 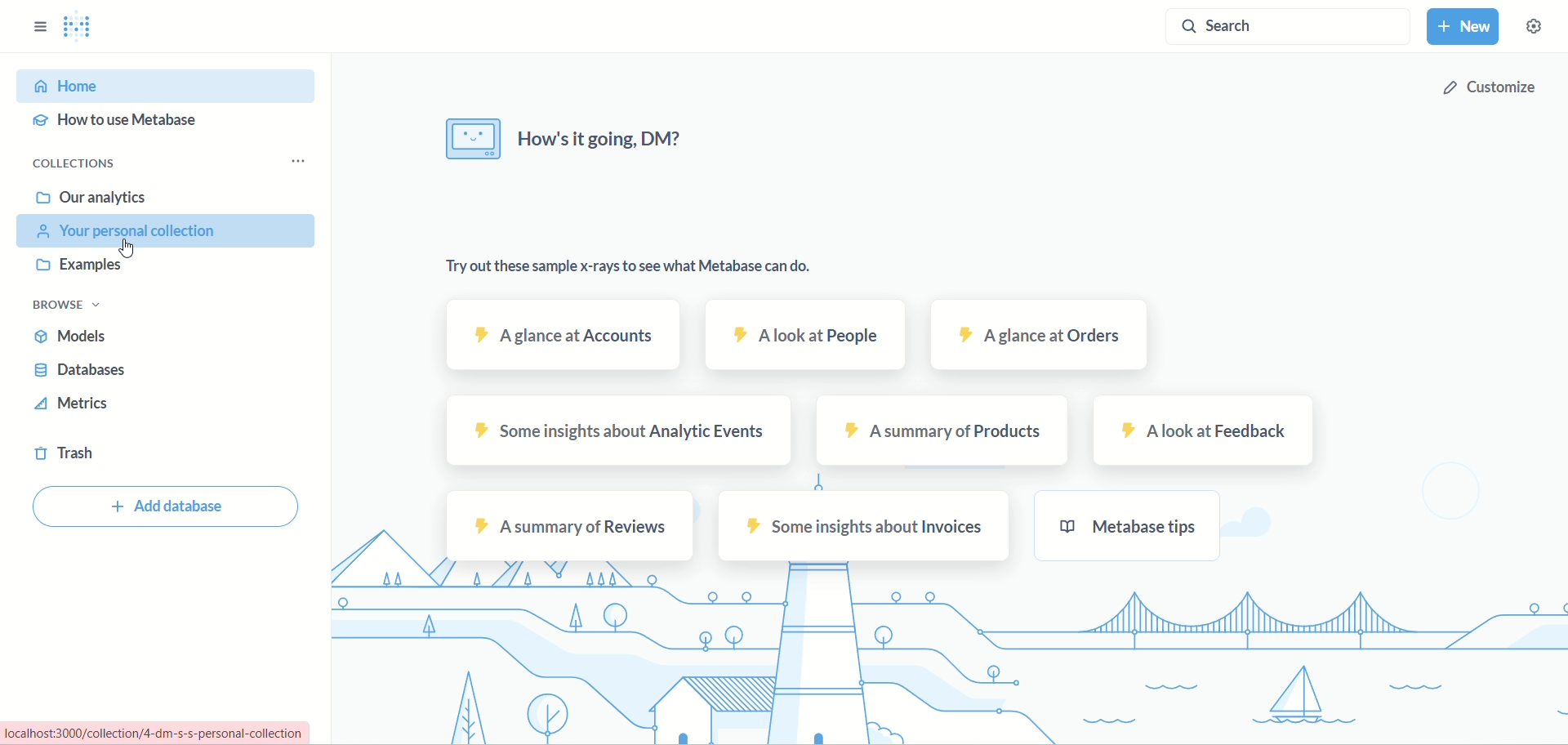 What do you see at coordinates (865, 526) in the screenshot?
I see `some insights about invoices` at bounding box center [865, 526].